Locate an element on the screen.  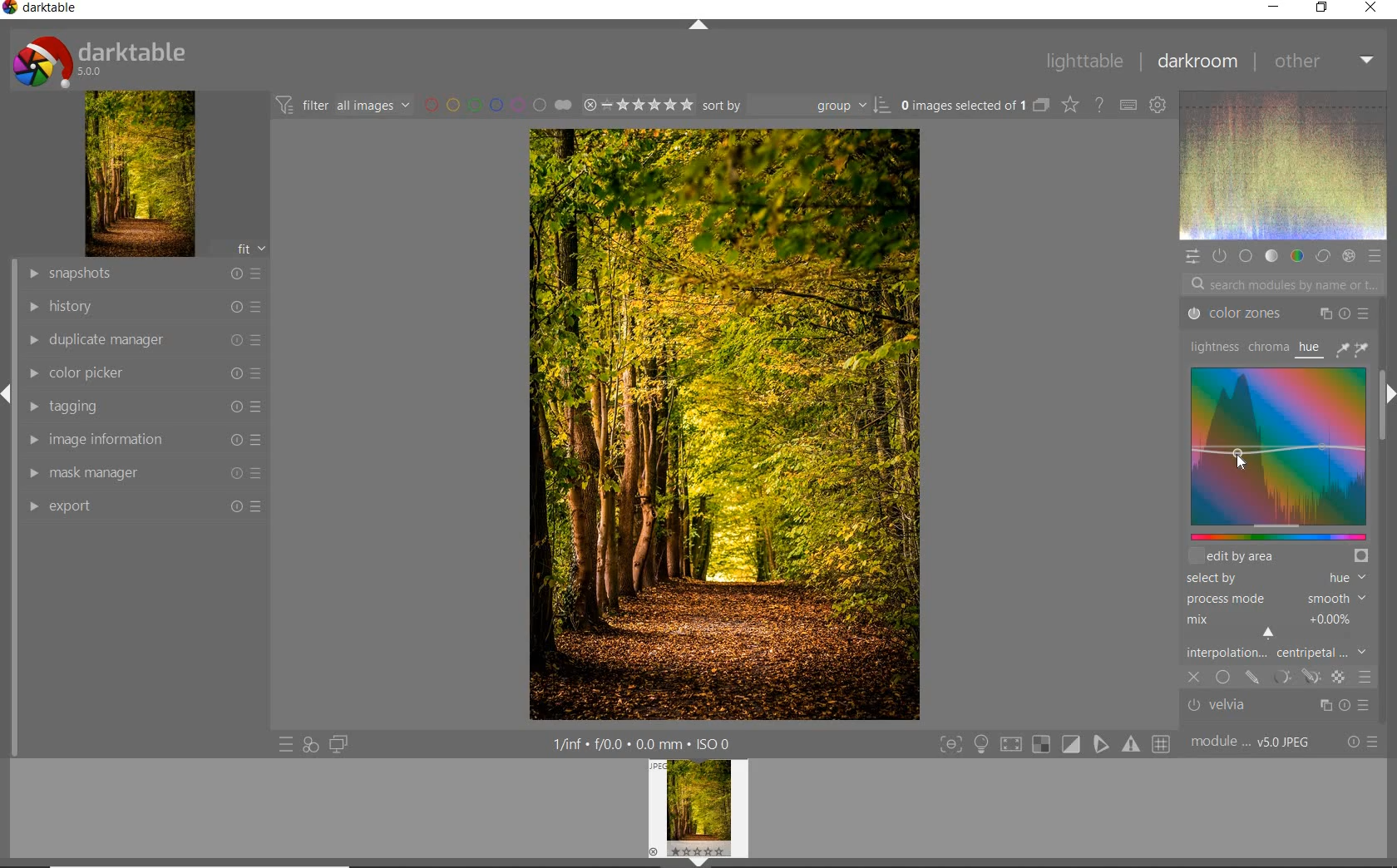
QUICK ACCESS PANEL is located at coordinates (1193, 256).